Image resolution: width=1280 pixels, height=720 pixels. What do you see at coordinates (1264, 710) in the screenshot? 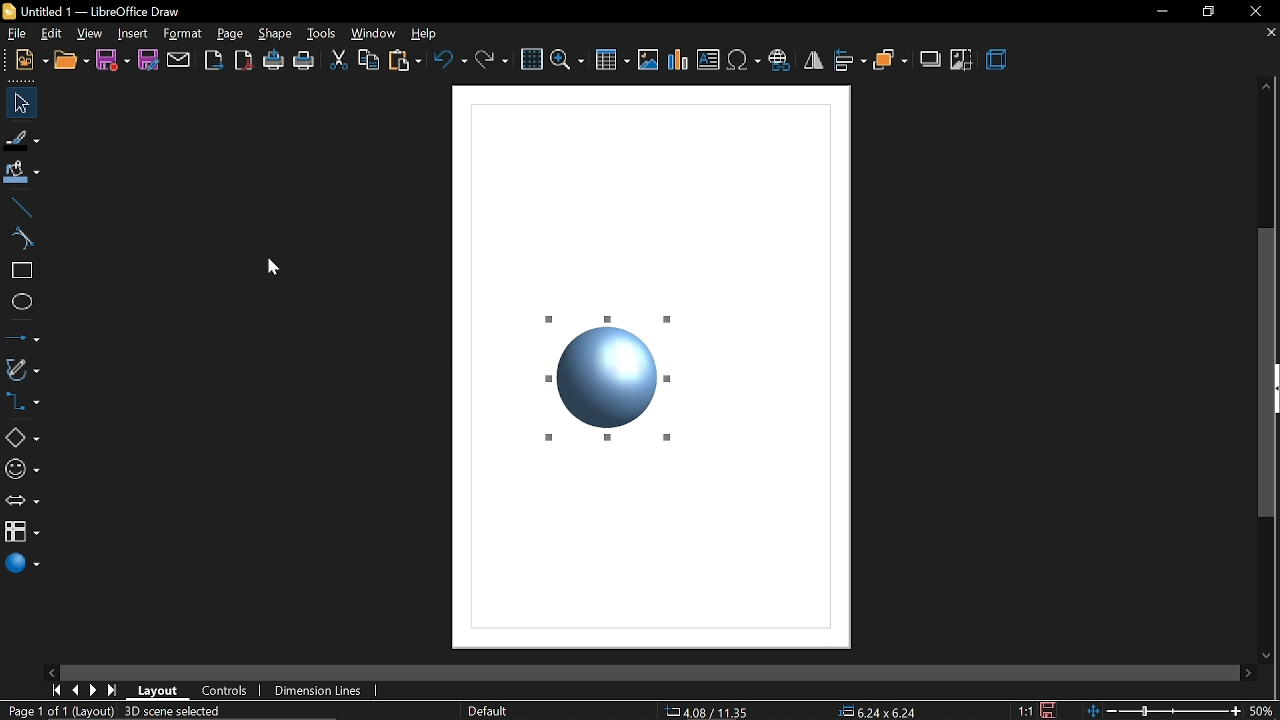
I see `50%` at bounding box center [1264, 710].